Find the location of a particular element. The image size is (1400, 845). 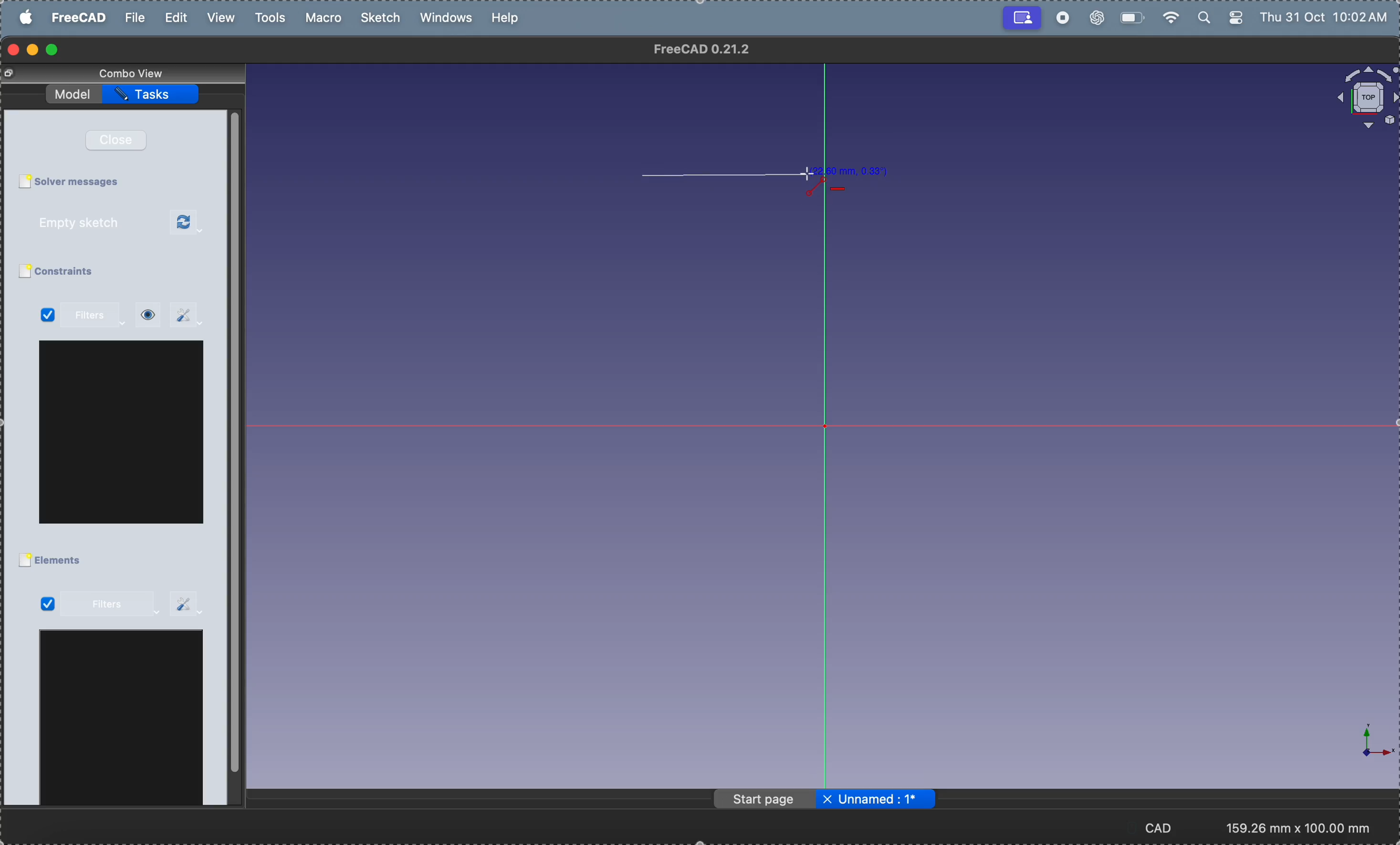

object view is located at coordinates (1365, 98).